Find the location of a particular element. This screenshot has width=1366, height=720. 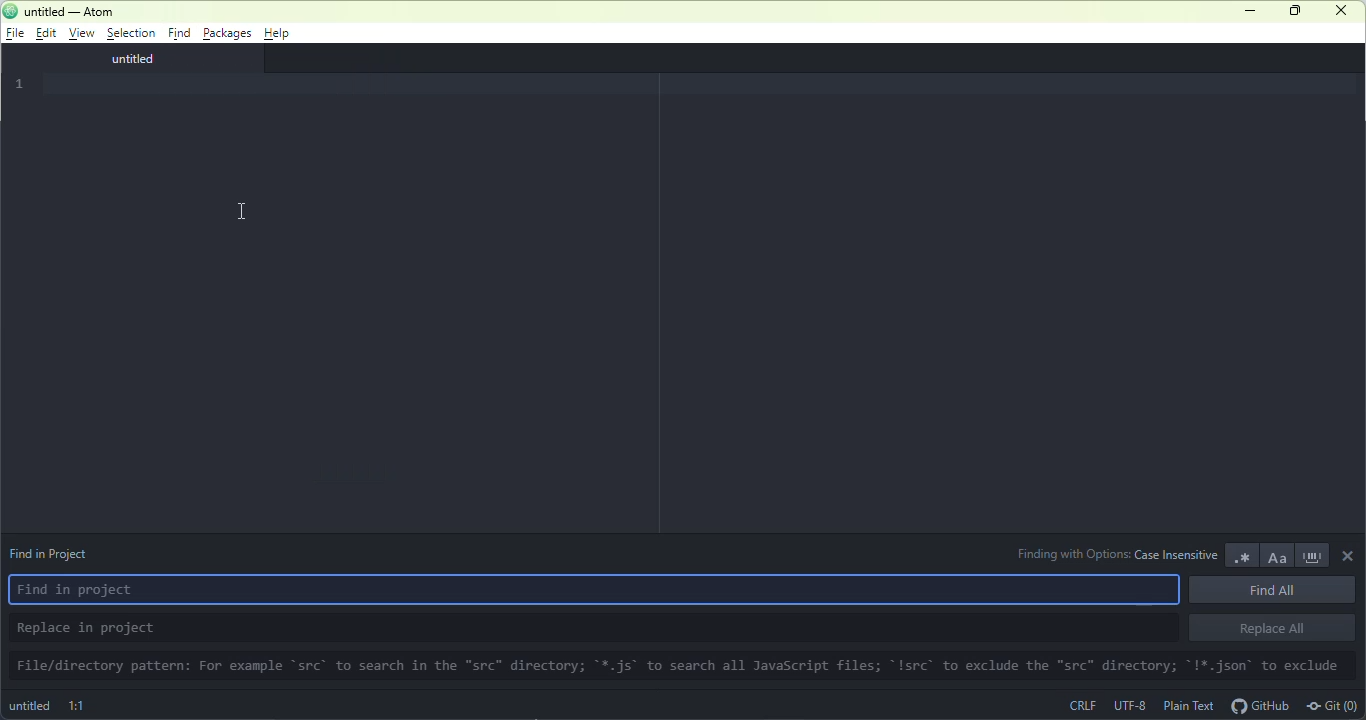

untitled-atom is located at coordinates (78, 11).